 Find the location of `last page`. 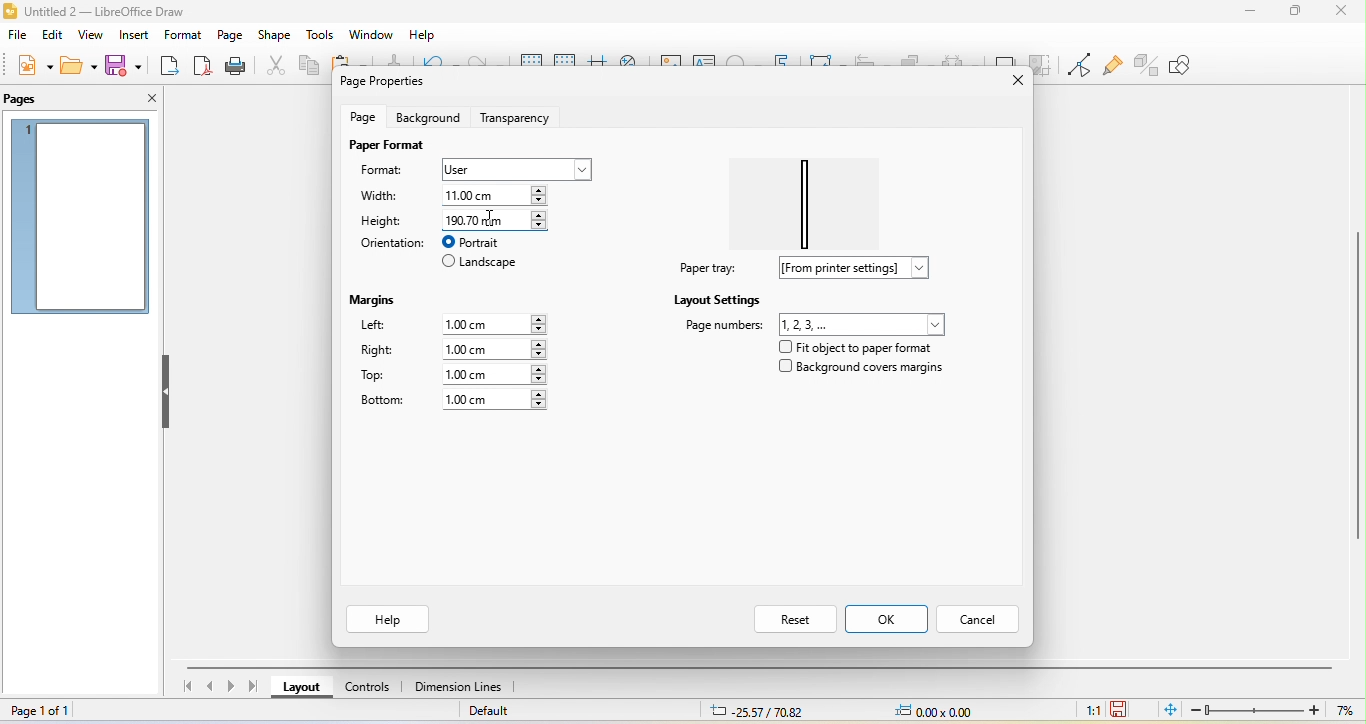

last page is located at coordinates (257, 686).